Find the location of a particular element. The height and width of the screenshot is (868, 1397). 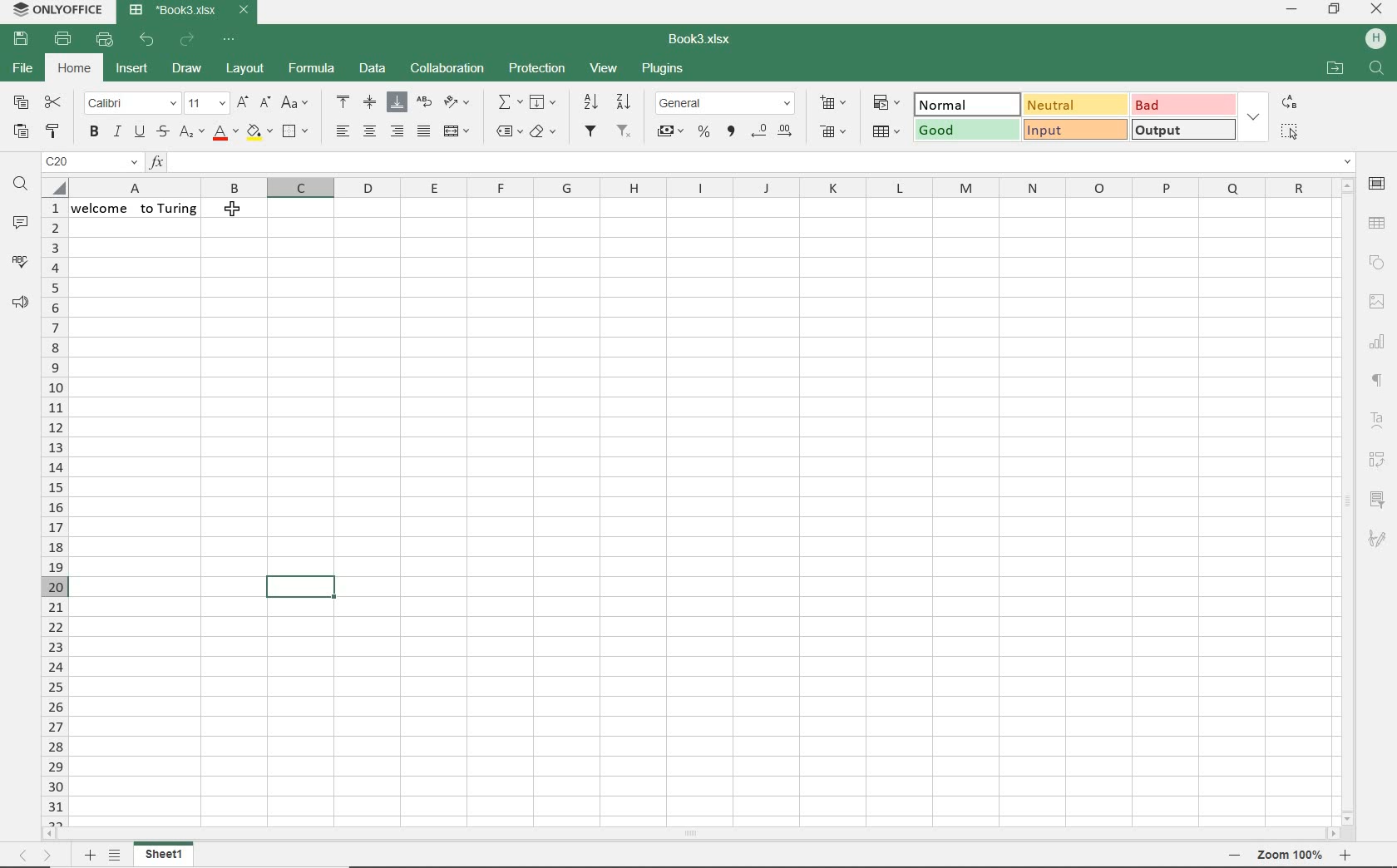

font is located at coordinates (130, 103).